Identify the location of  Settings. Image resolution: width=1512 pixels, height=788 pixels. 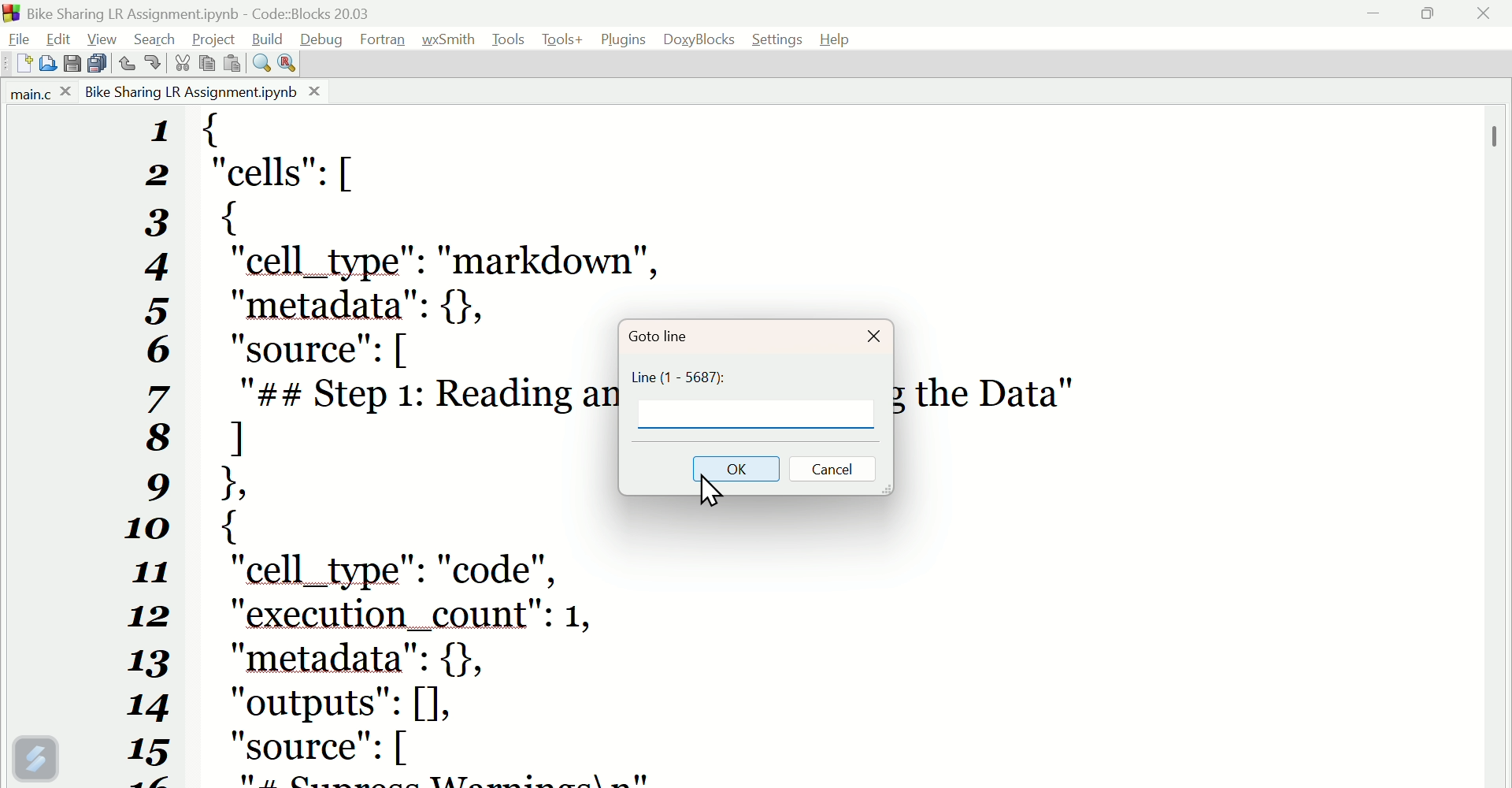
(780, 40).